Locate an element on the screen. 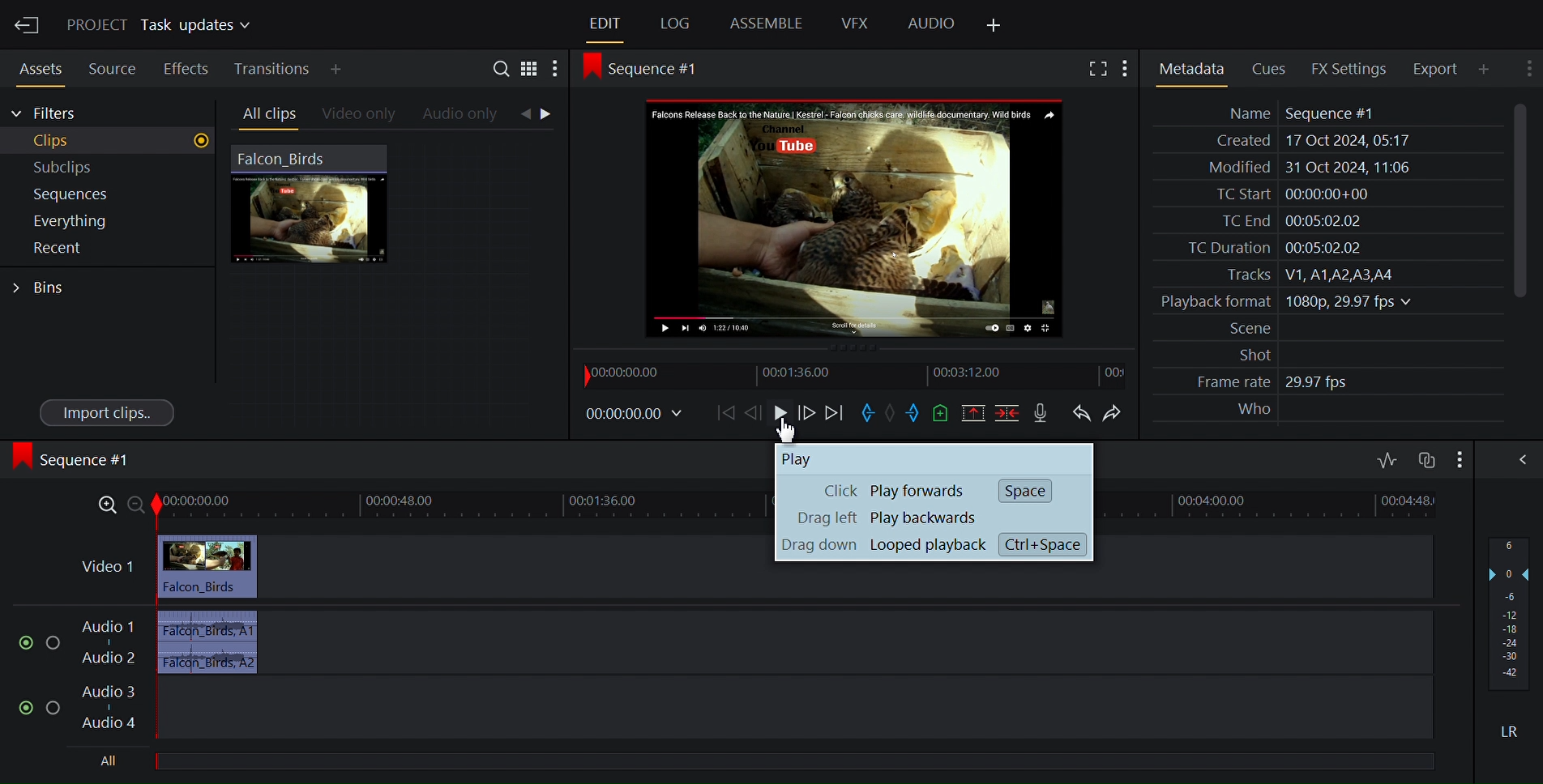 This screenshot has height=784, width=1543. Remove all marked sections is located at coordinates (972, 413).